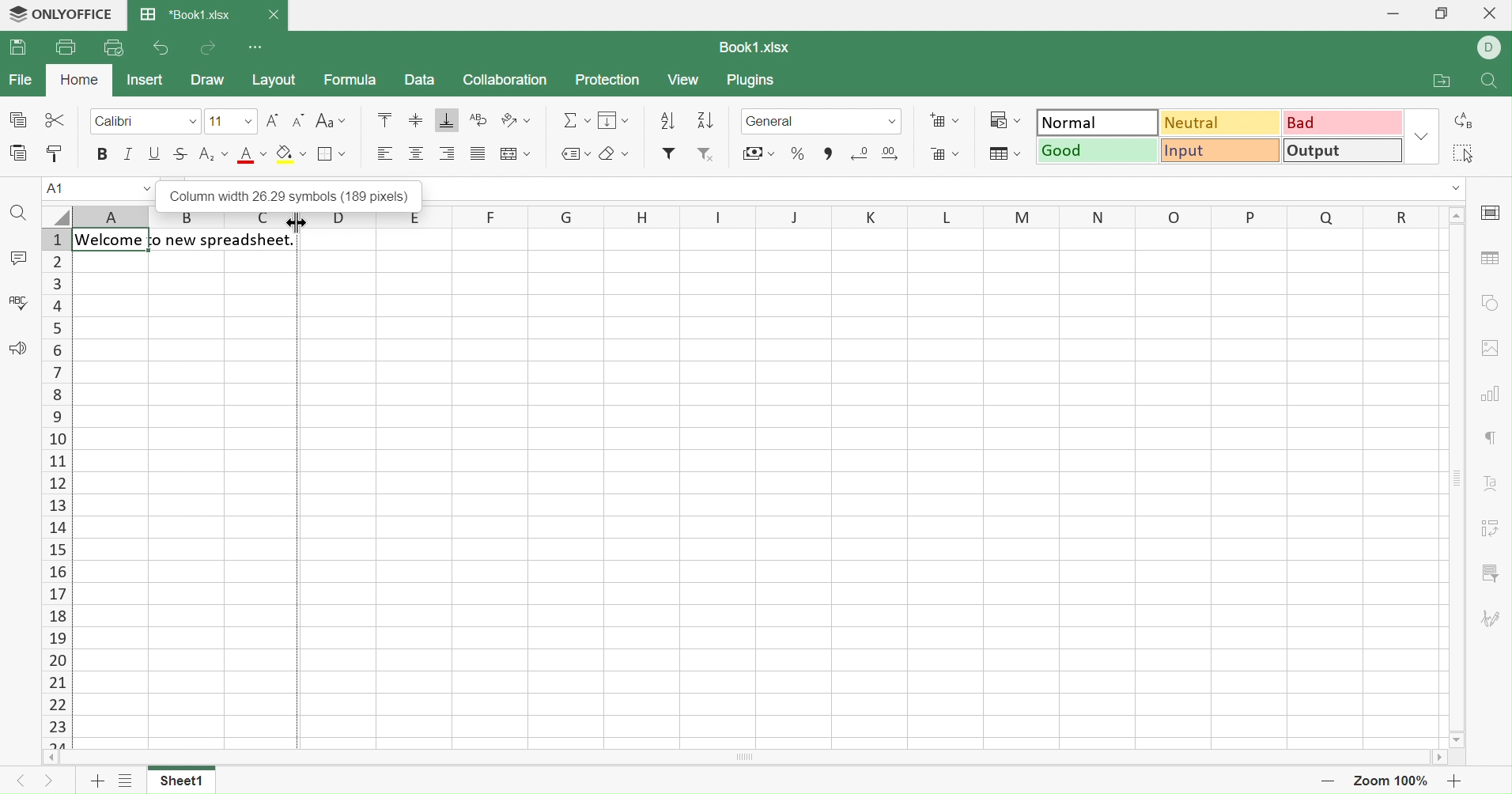  What do you see at coordinates (57, 489) in the screenshot?
I see `Row Numbers` at bounding box center [57, 489].